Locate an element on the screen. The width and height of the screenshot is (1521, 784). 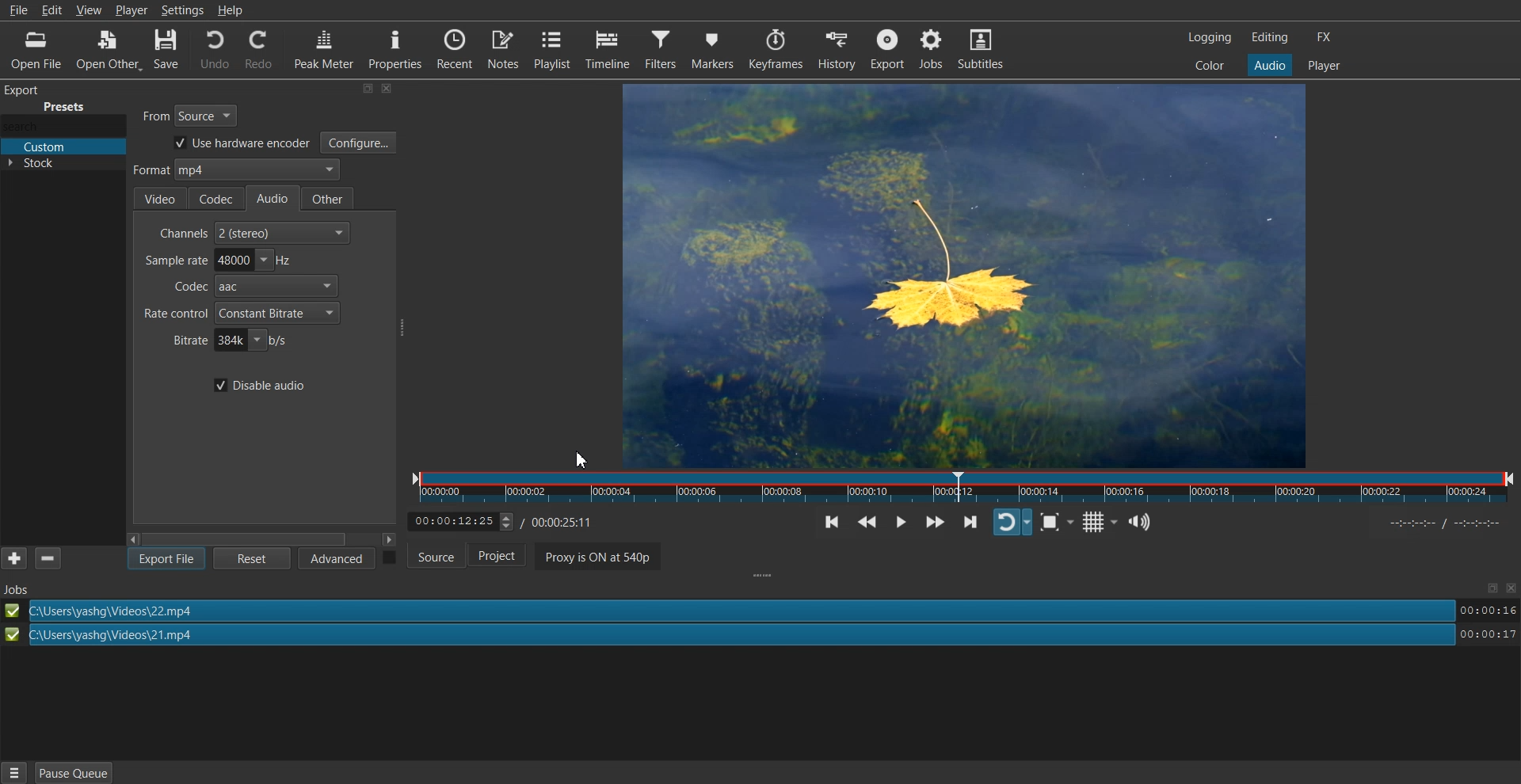
Export file is located at coordinates (162, 559).